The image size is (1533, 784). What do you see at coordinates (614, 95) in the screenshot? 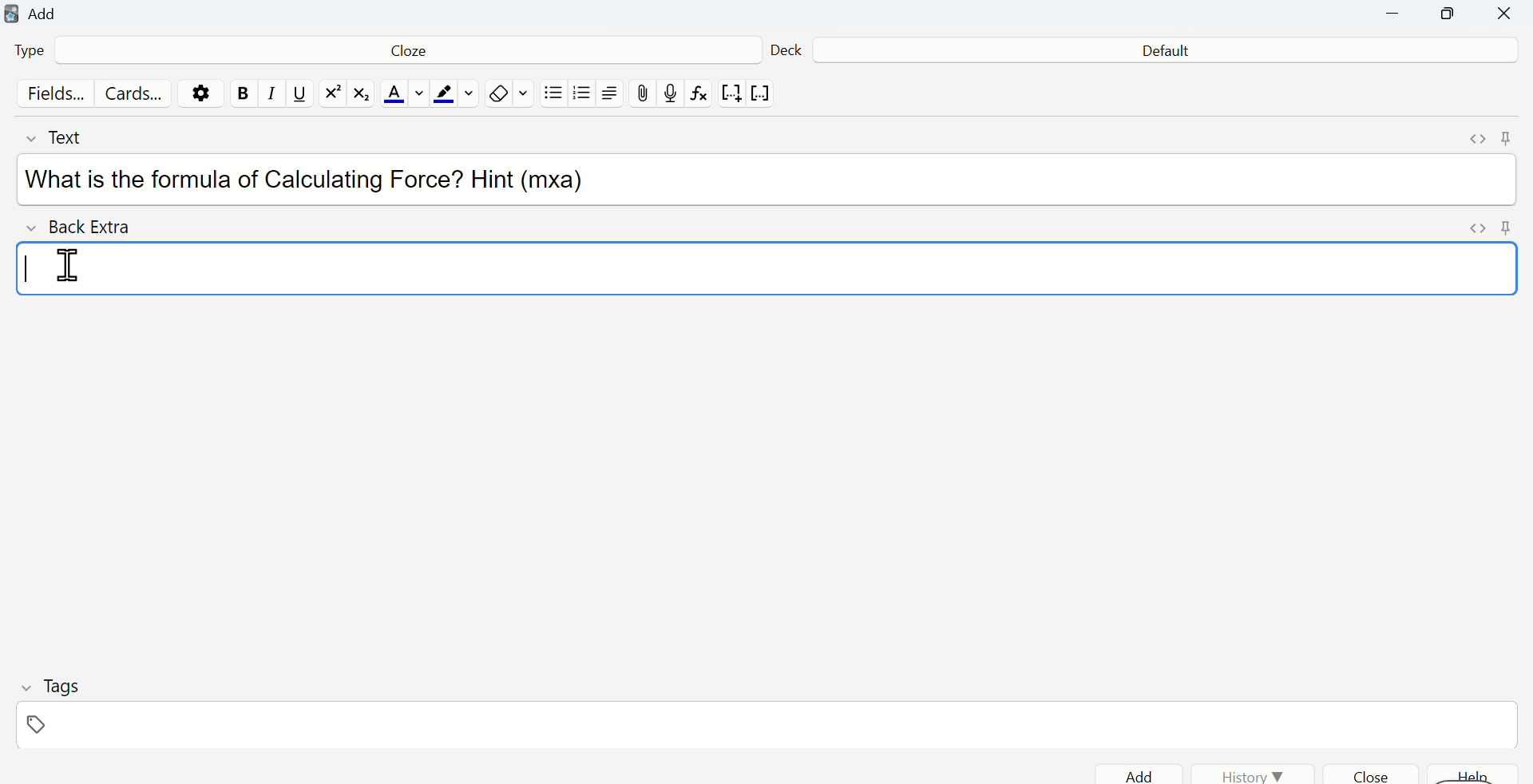
I see `Align` at bounding box center [614, 95].